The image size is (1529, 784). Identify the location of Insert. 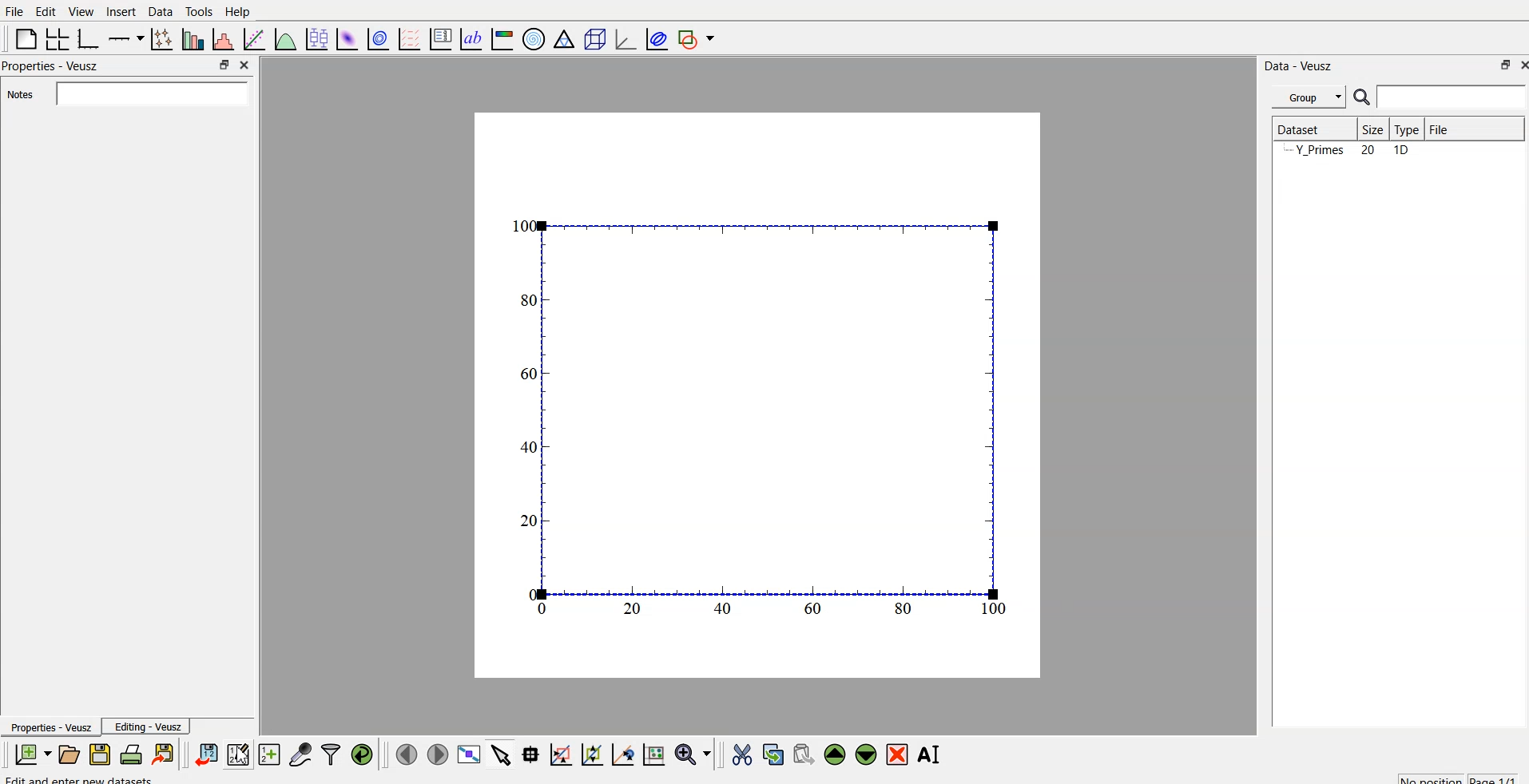
(121, 11).